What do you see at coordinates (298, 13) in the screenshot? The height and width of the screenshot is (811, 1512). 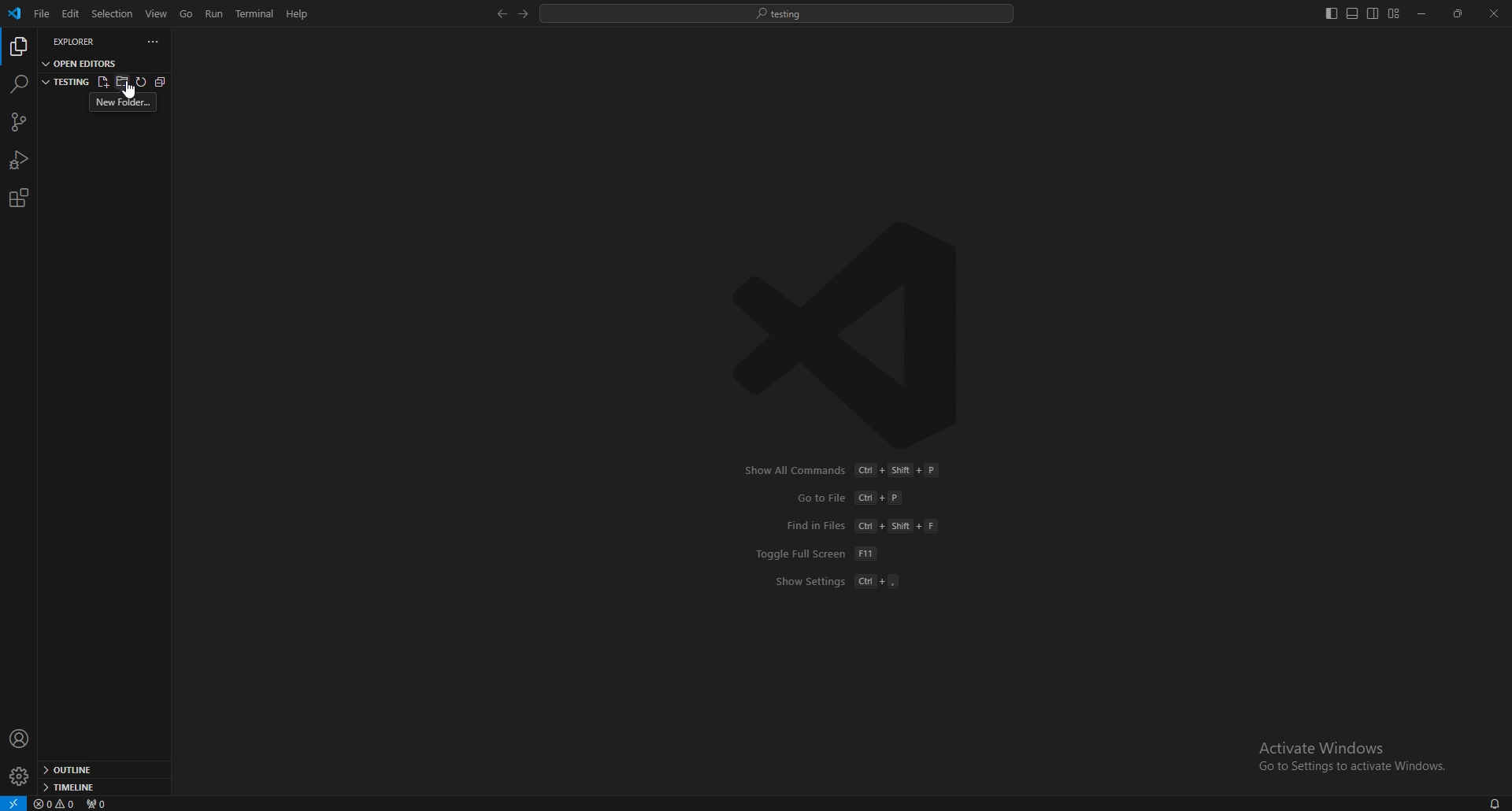 I see `help` at bounding box center [298, 13].